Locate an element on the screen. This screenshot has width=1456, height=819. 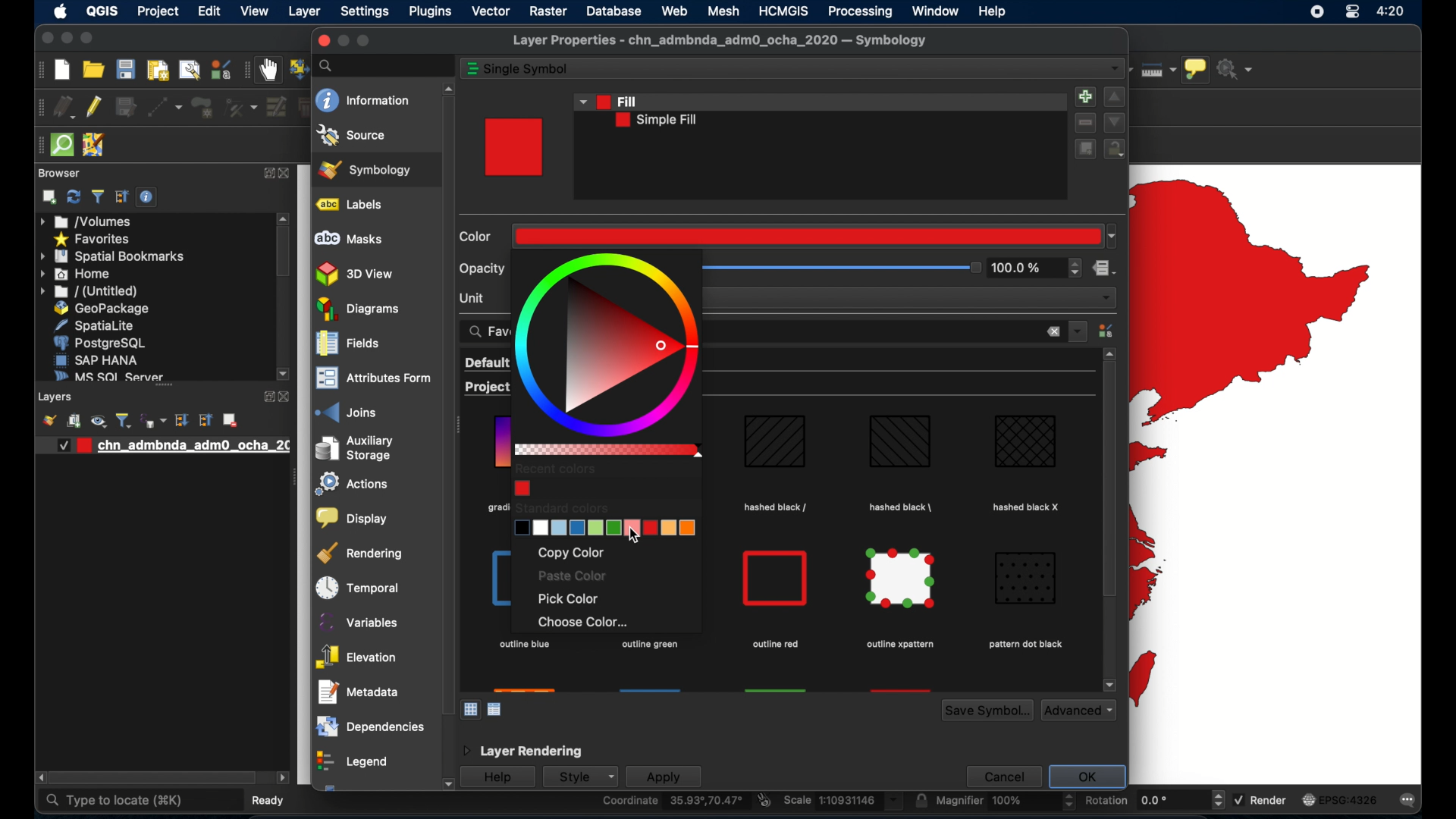
default is located at coordinates (487, 362).